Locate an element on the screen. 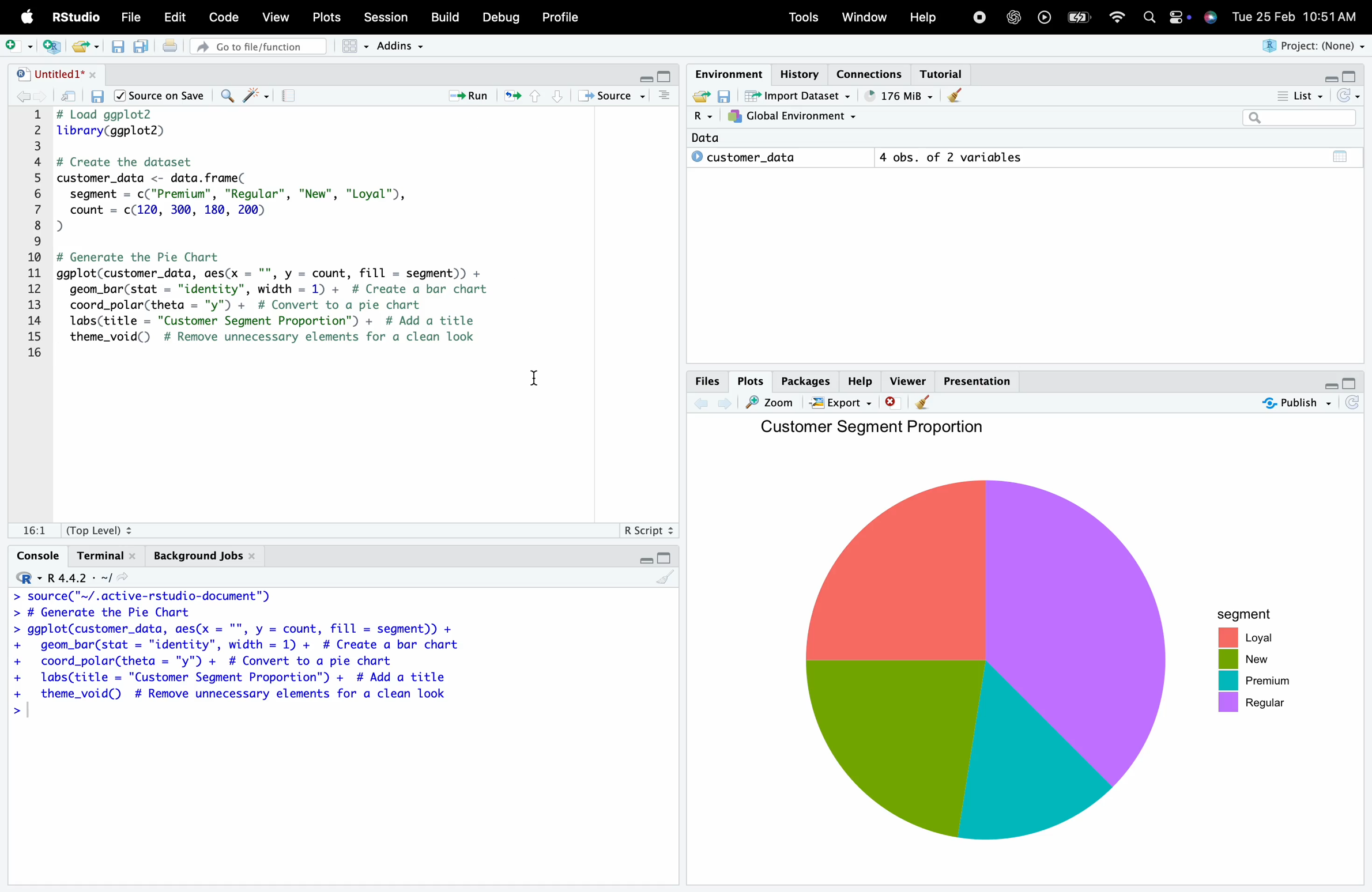 Image resolution: width=1372 pixels, height=892 pixels. save environment variables is located at coordinates (723, 95).